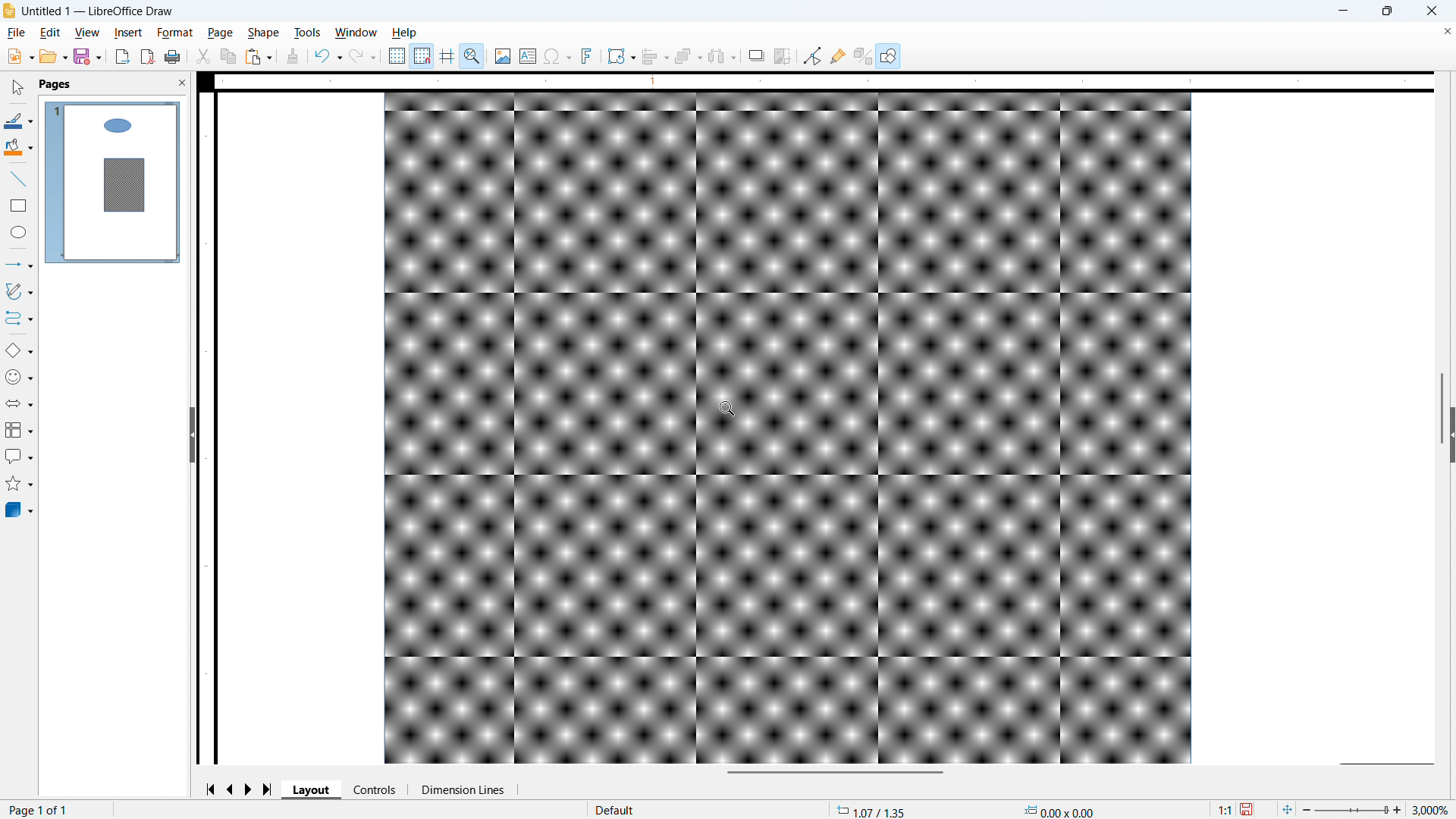 Image resolution: width=1456 pixels, height=819 pixels. I want to click on Cursor as zoom tool, so click(728, 409).